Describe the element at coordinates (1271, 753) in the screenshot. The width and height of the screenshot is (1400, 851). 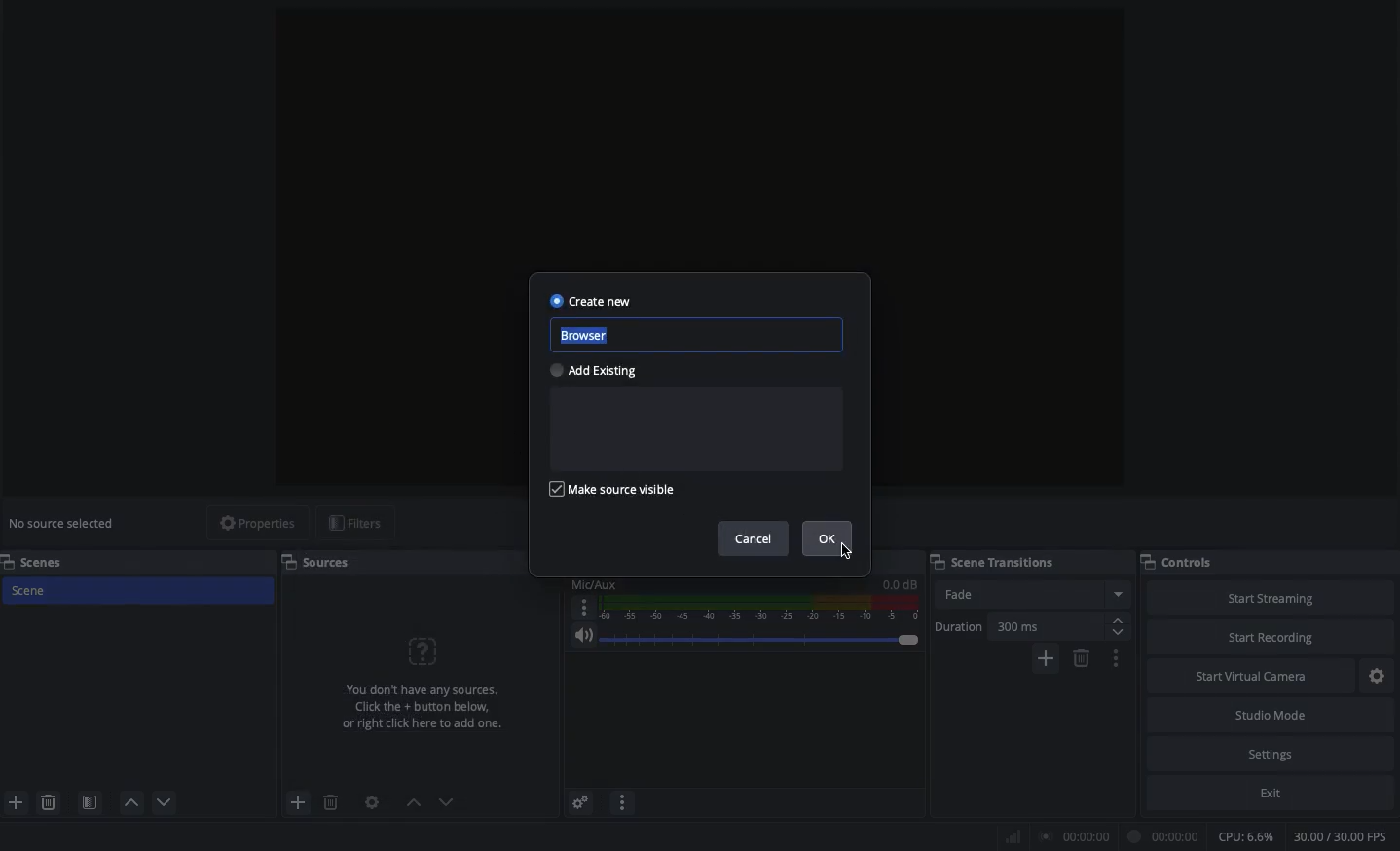
I see `Settings` at that location.